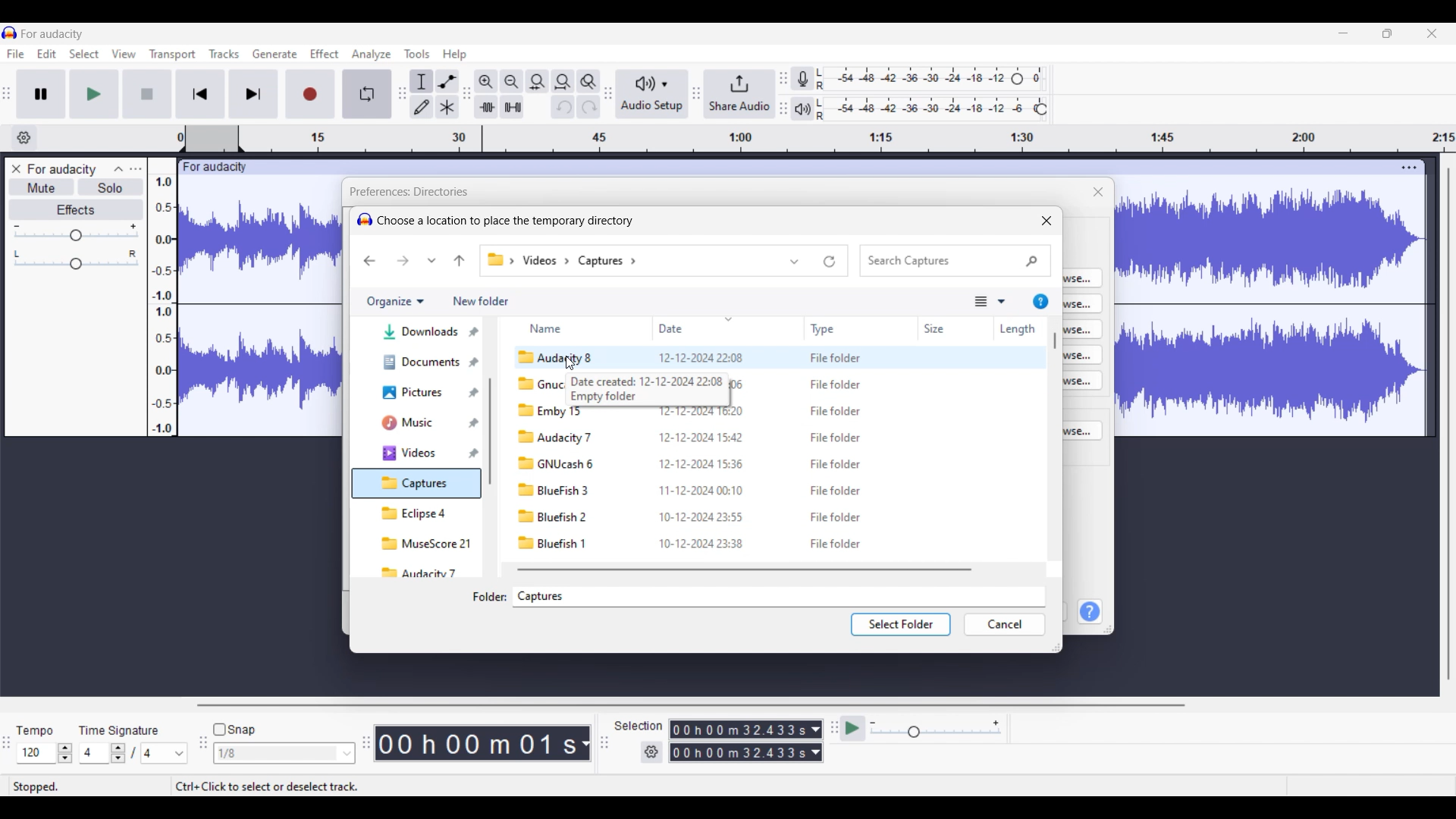  I want to click on Collapse , so click(118, 170).